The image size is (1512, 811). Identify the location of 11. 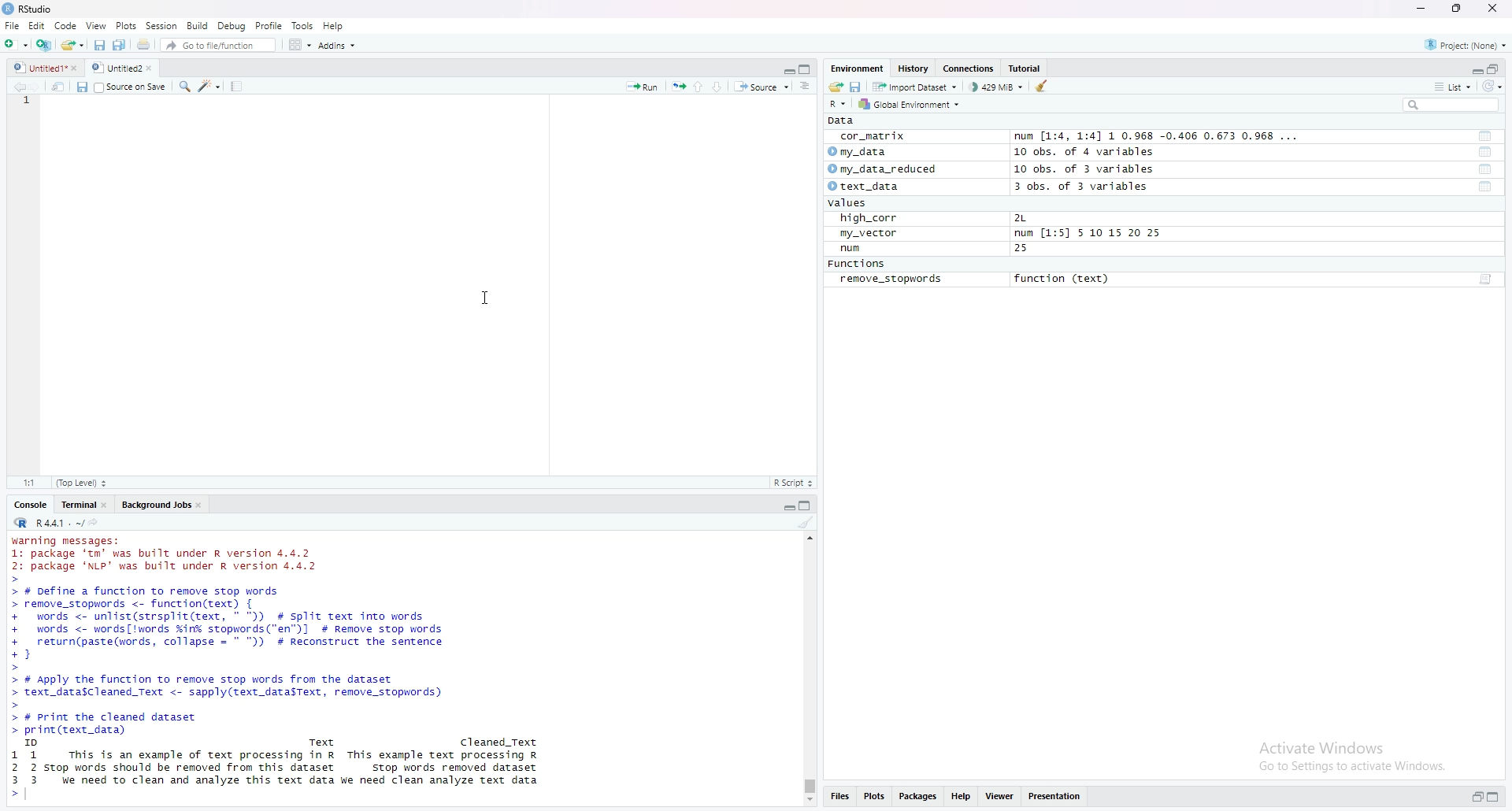
(28, 483).